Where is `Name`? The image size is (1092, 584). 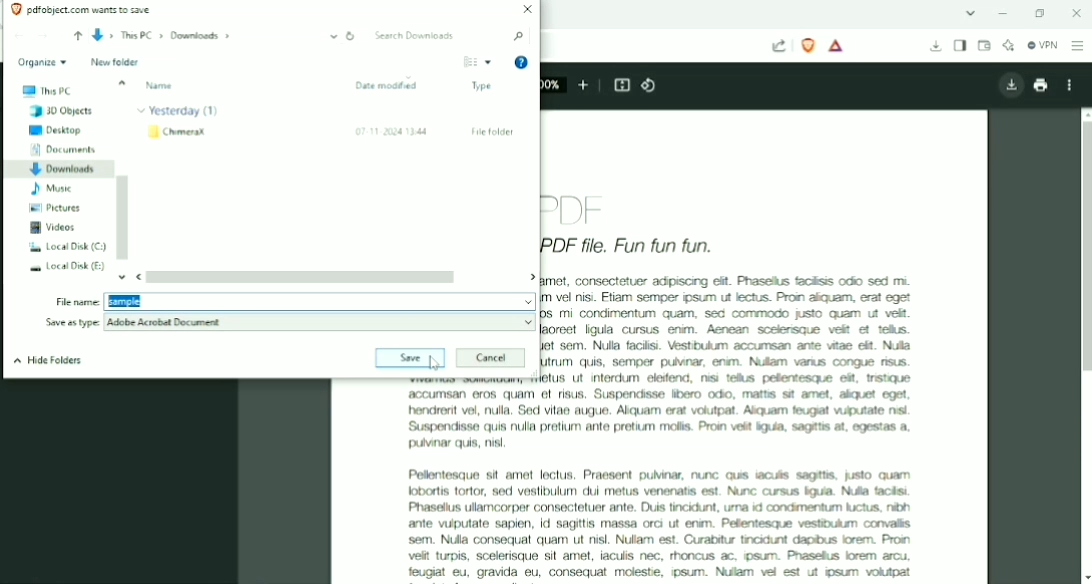 Name is located at coordinates (160, 86).